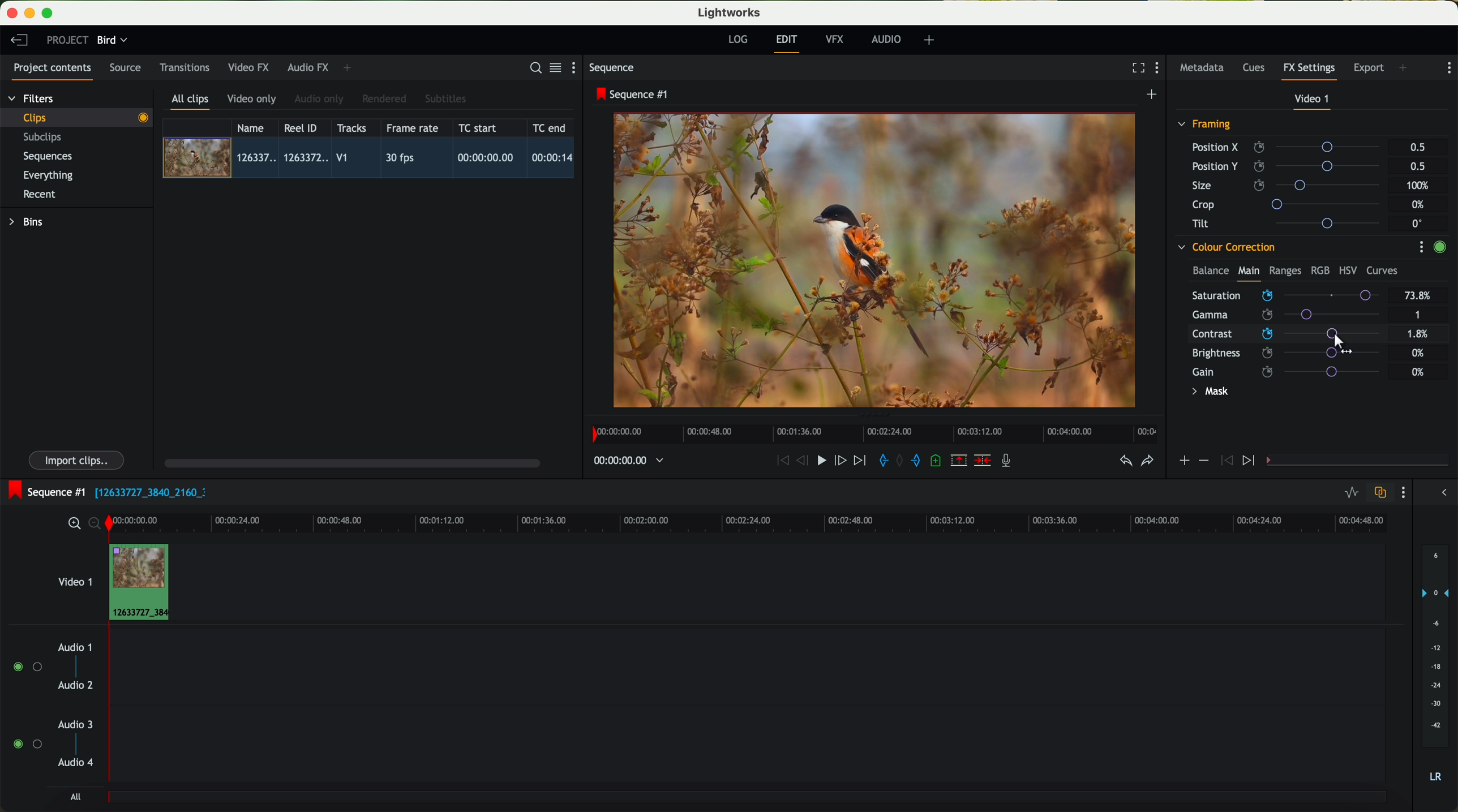  What do you see at coordinates (32, 98) in the screenshot?
I see `filters` at bounding box center [32, 98].